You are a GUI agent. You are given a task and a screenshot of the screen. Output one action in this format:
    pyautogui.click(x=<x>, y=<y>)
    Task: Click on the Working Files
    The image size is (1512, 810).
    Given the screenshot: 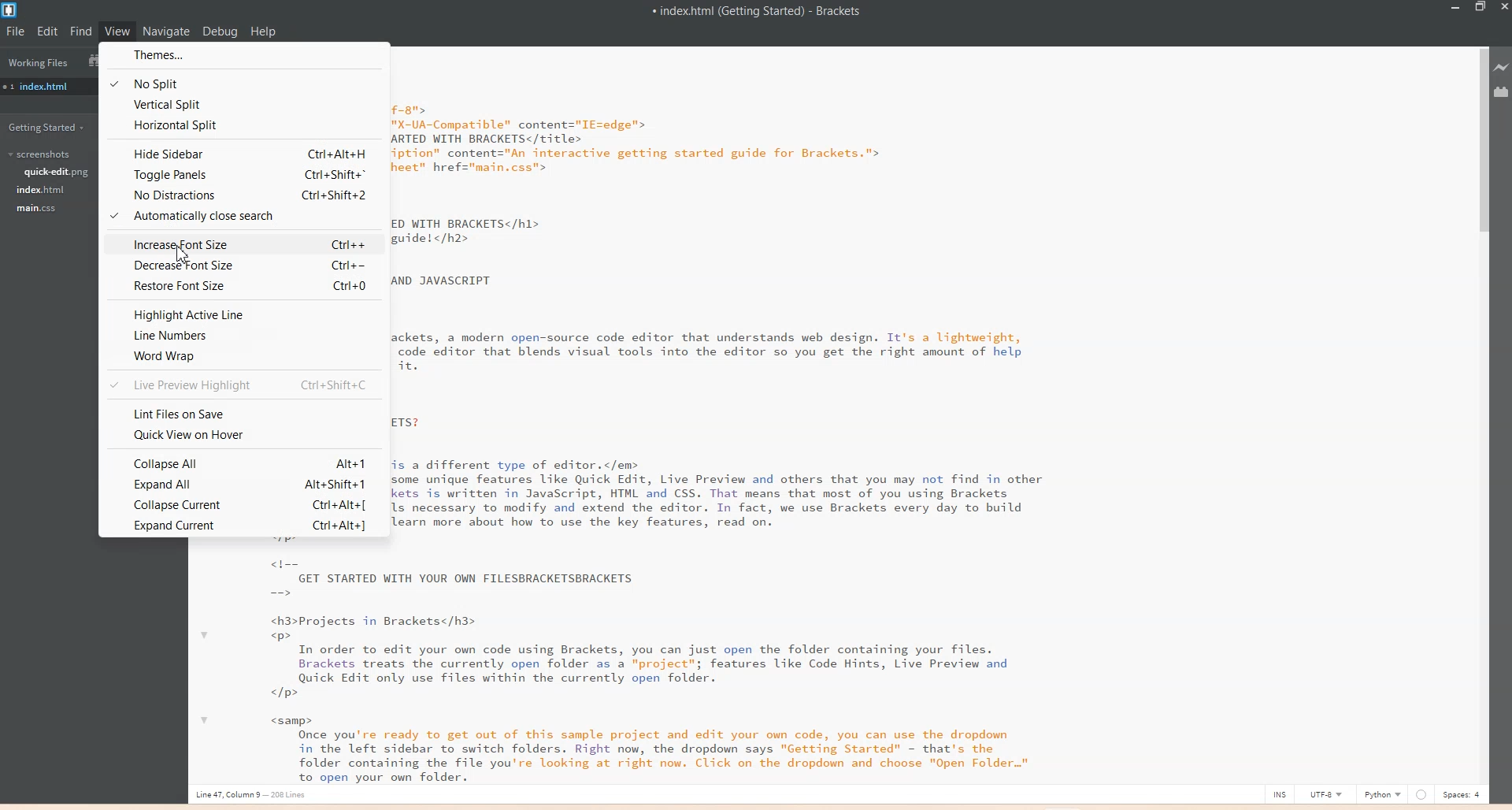 What is the action you would take?
    pyautogui.click(x=37, y=61)
    